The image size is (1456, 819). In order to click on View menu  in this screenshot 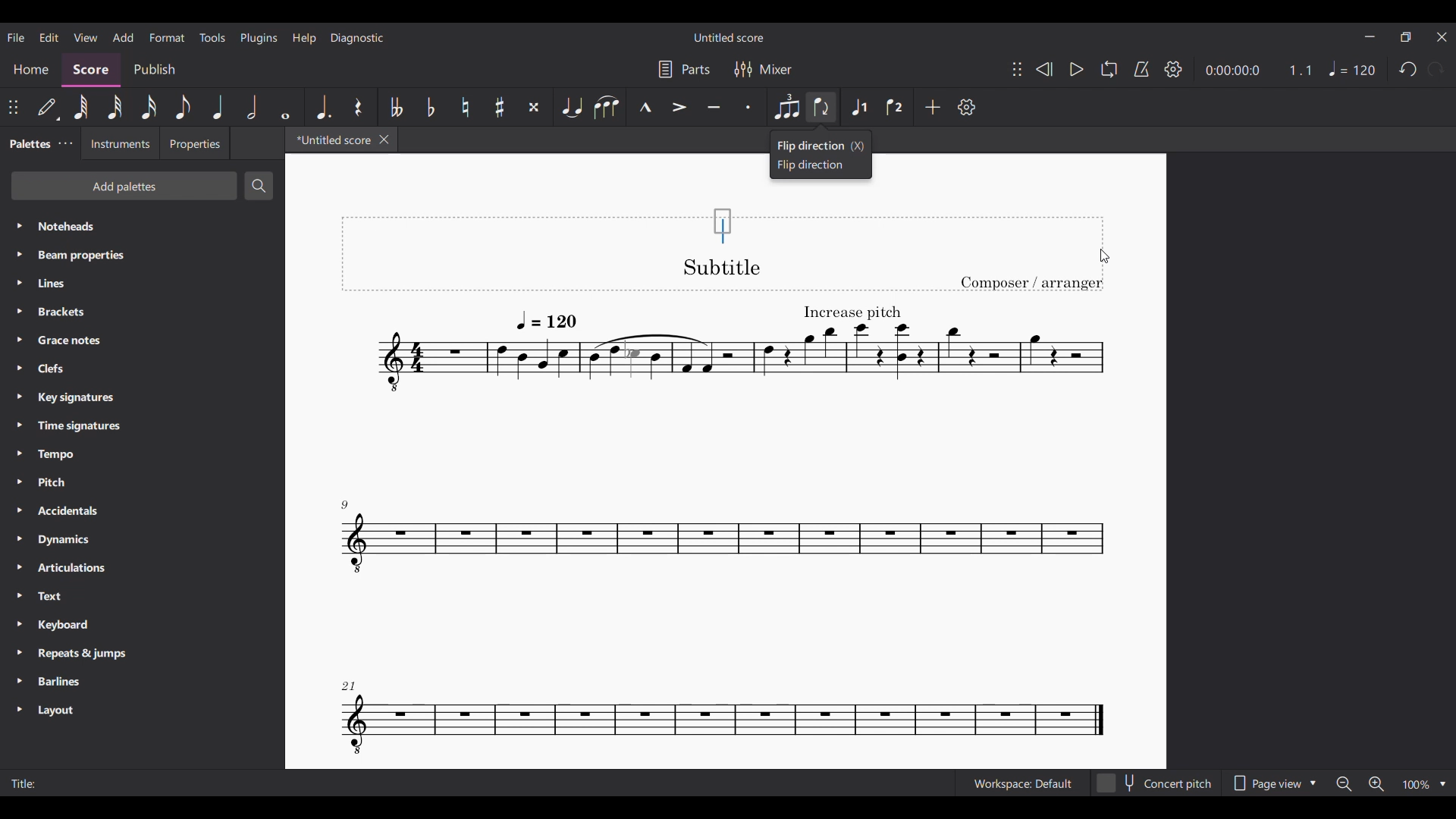, I will do `click(86, 37)`.